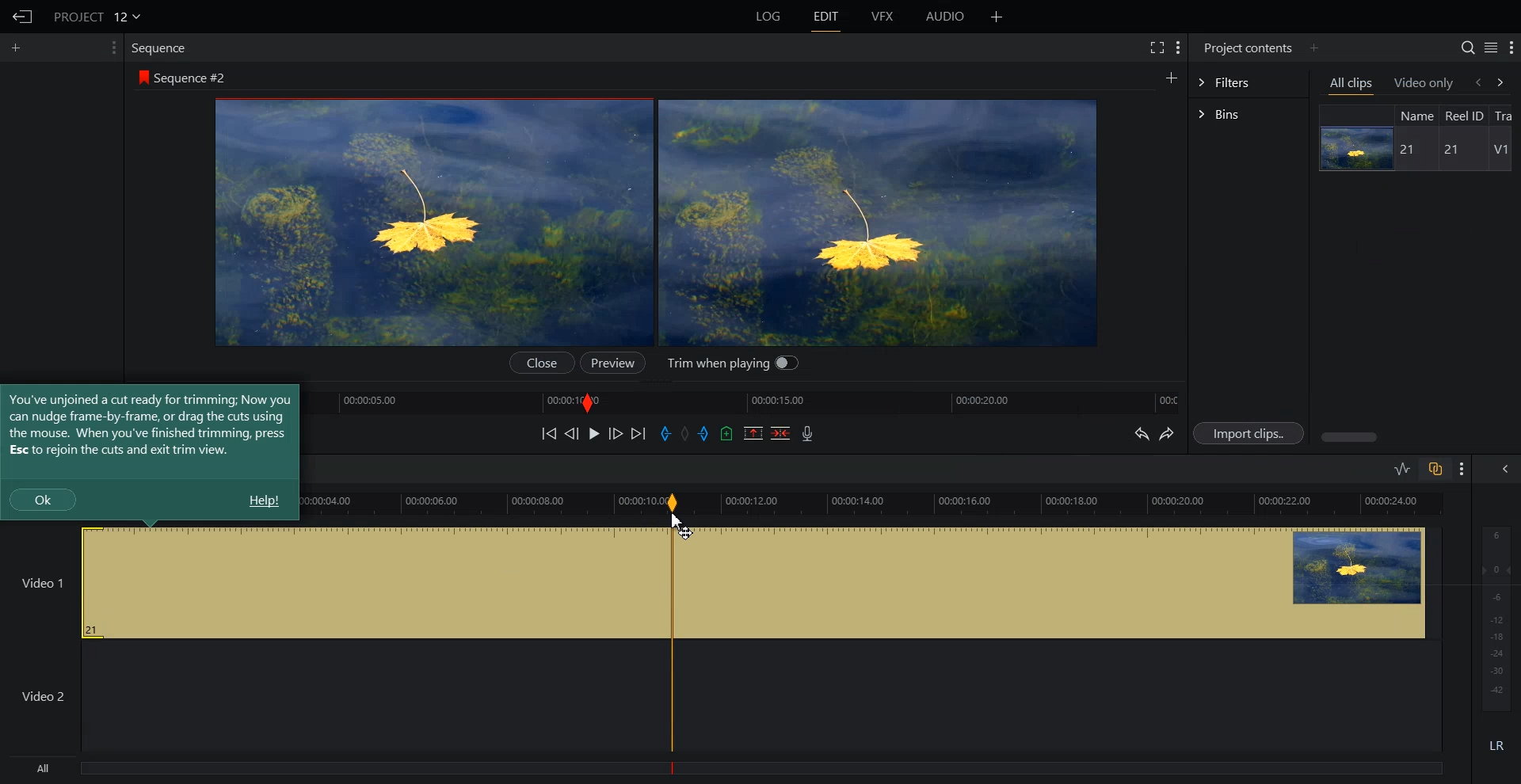 The height and width of the screenshot is (784, 1521). What do you see at coordinates (1493, 615) in the screenshot?
I see `Audio Output Level` at bounding box center [1493, 615].